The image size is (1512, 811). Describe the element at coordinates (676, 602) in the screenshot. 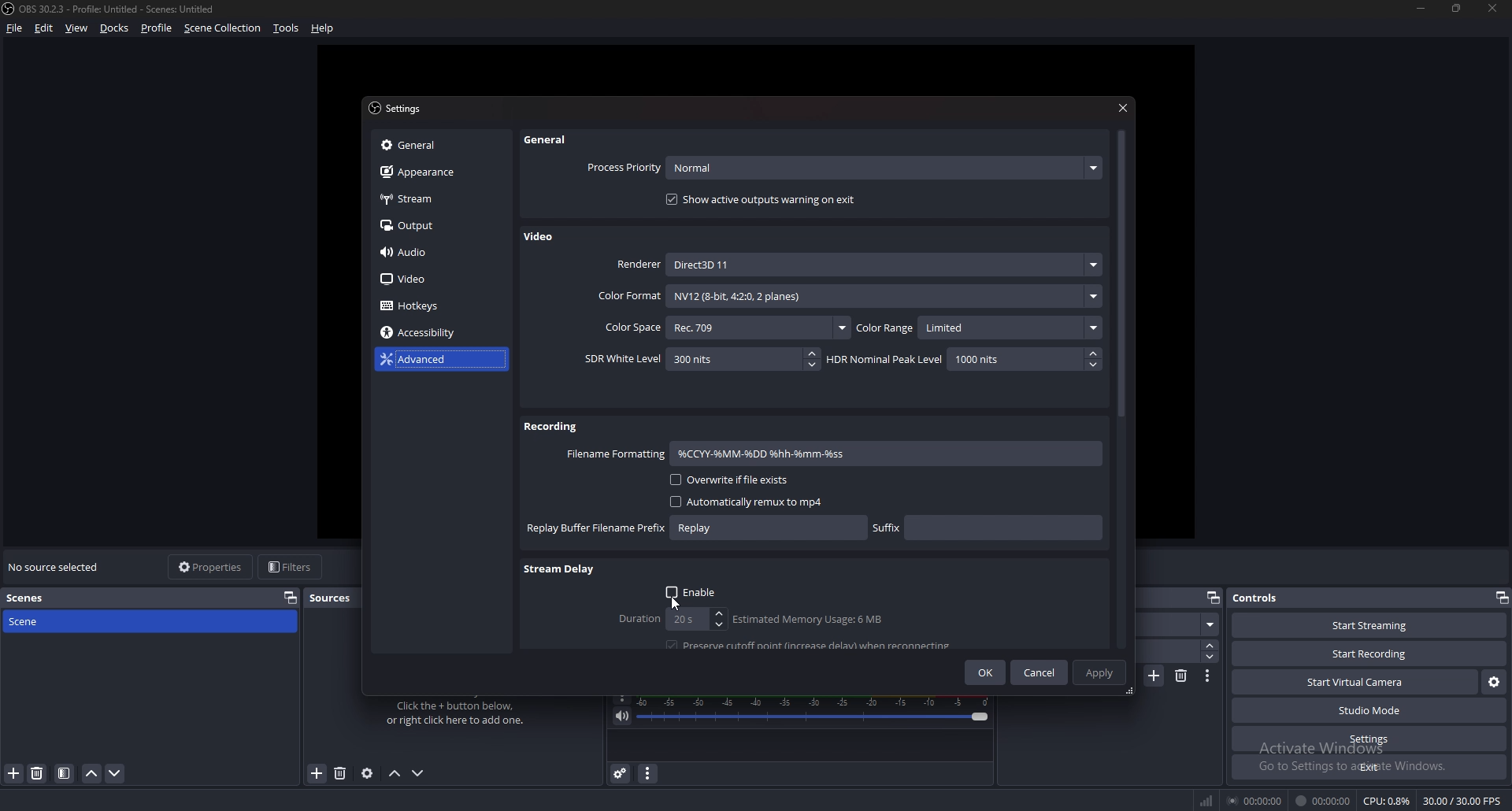

I see `cursor` at that location.